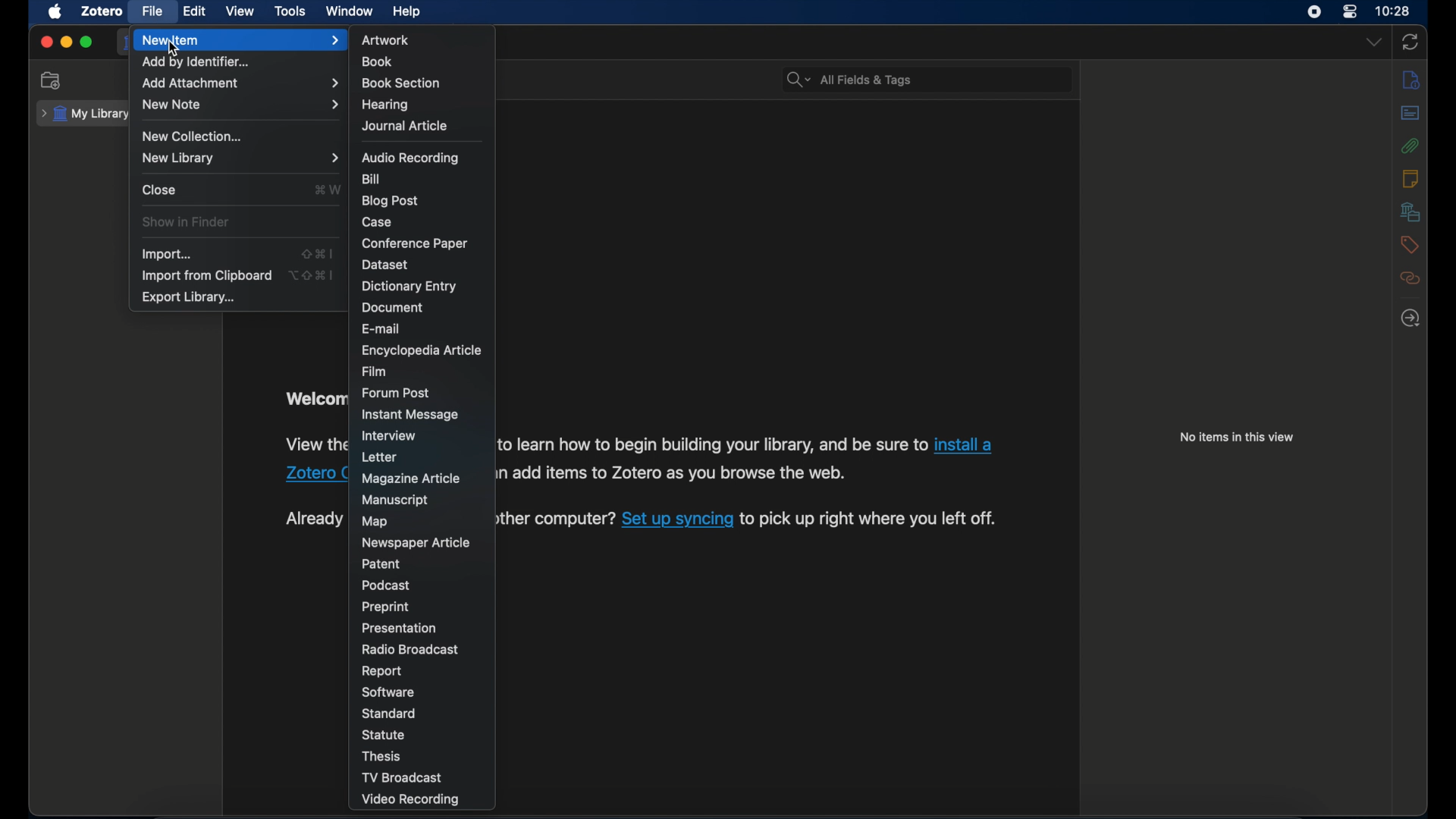 This screenshot has height=819, width=1456. Describe the element at coordinates (1410, 42) in the screenshot. I see `sync` at that location.